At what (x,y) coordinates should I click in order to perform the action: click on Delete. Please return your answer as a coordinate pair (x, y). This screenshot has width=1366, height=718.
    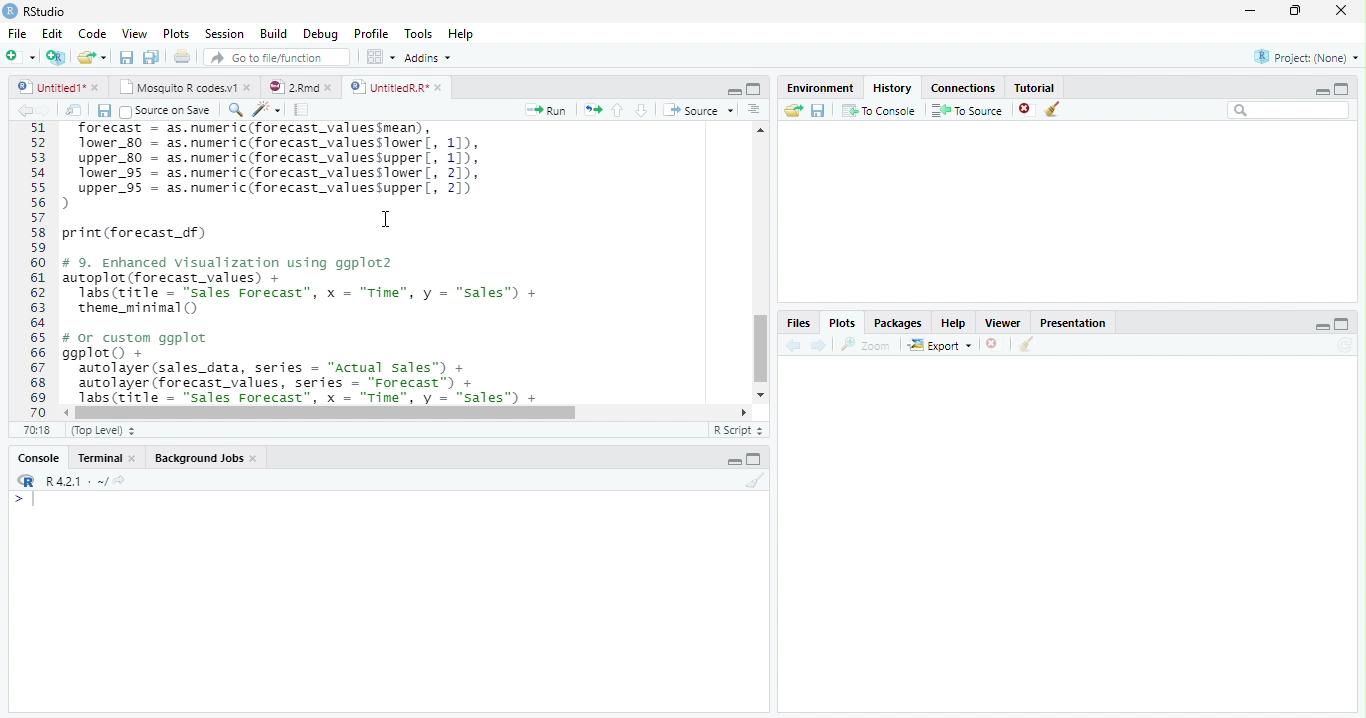
    Looking at the image, I should click on (1025, 107).